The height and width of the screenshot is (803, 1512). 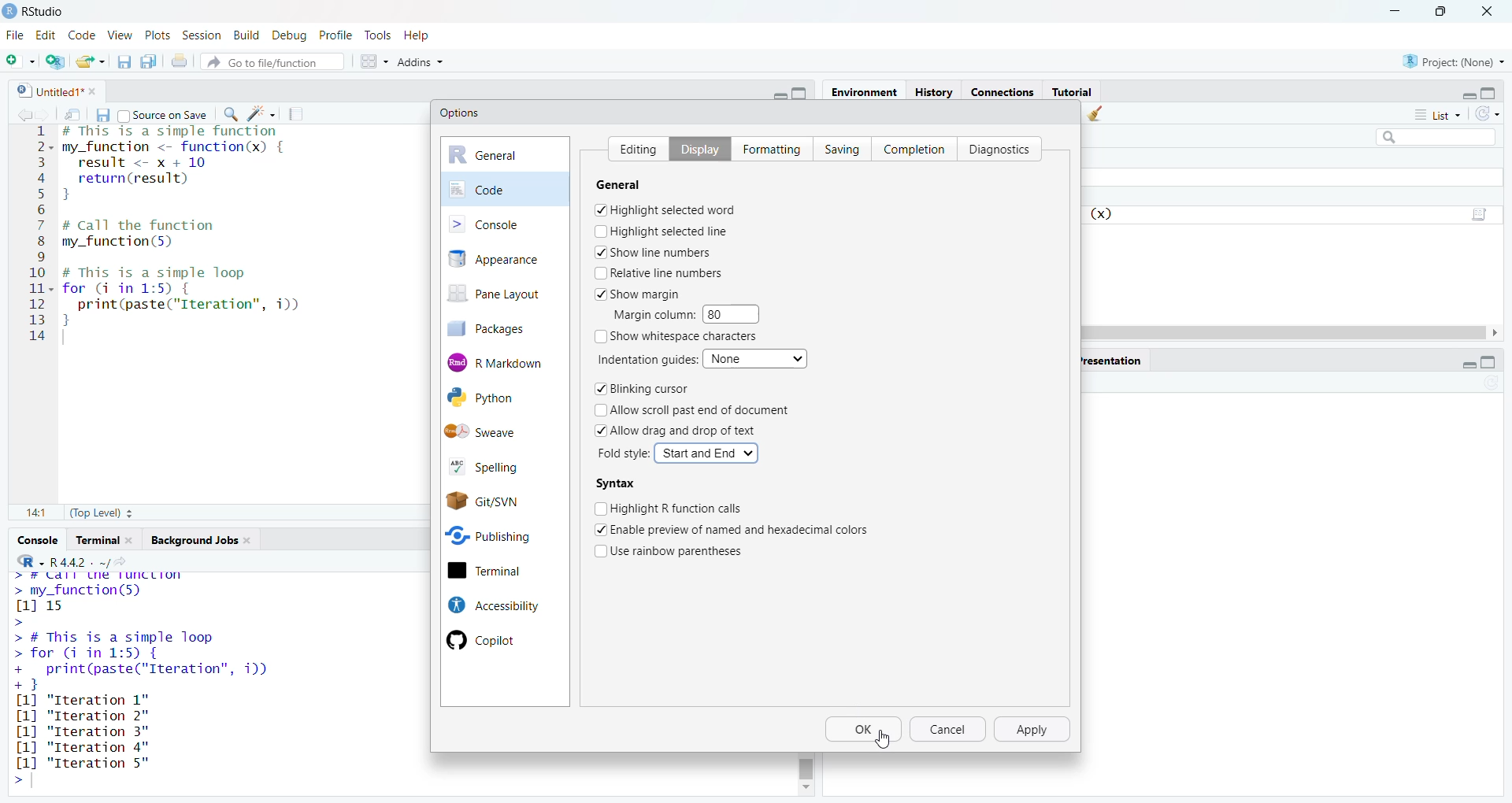 I want to click on code tools, so click(x=262, y=113).